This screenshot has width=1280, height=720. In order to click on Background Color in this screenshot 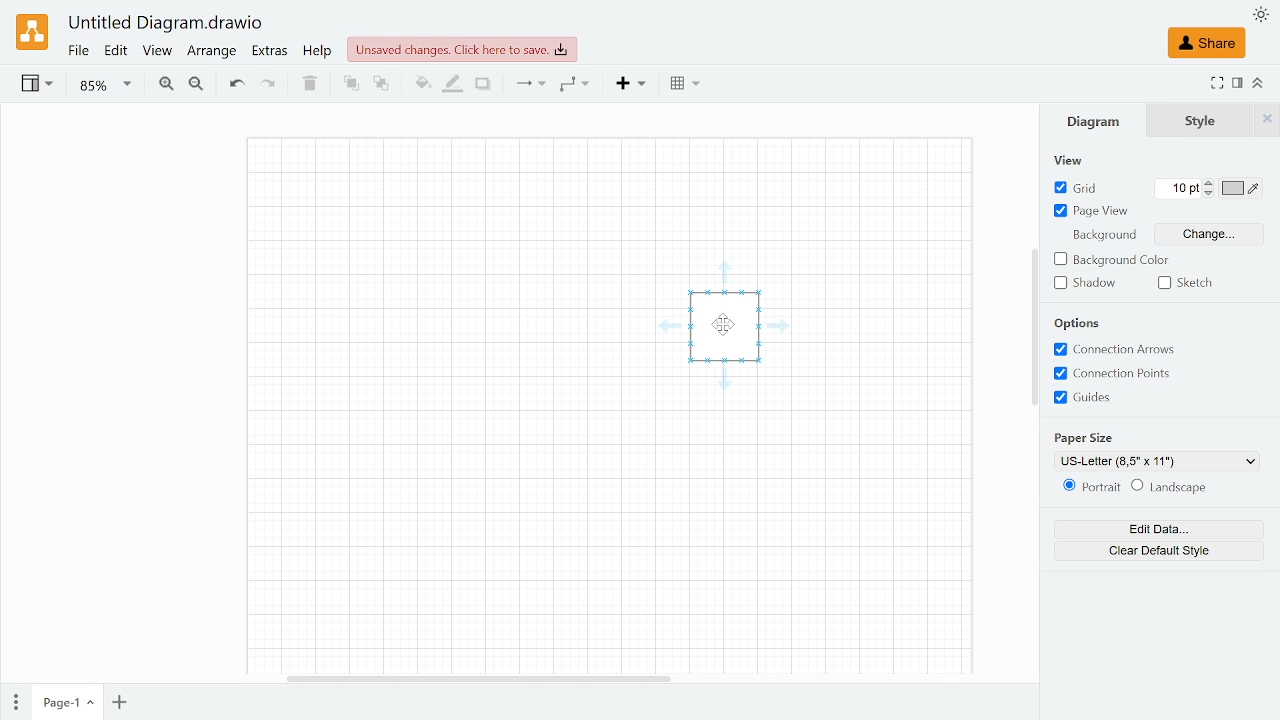, I will do `click(1114, 258)`.